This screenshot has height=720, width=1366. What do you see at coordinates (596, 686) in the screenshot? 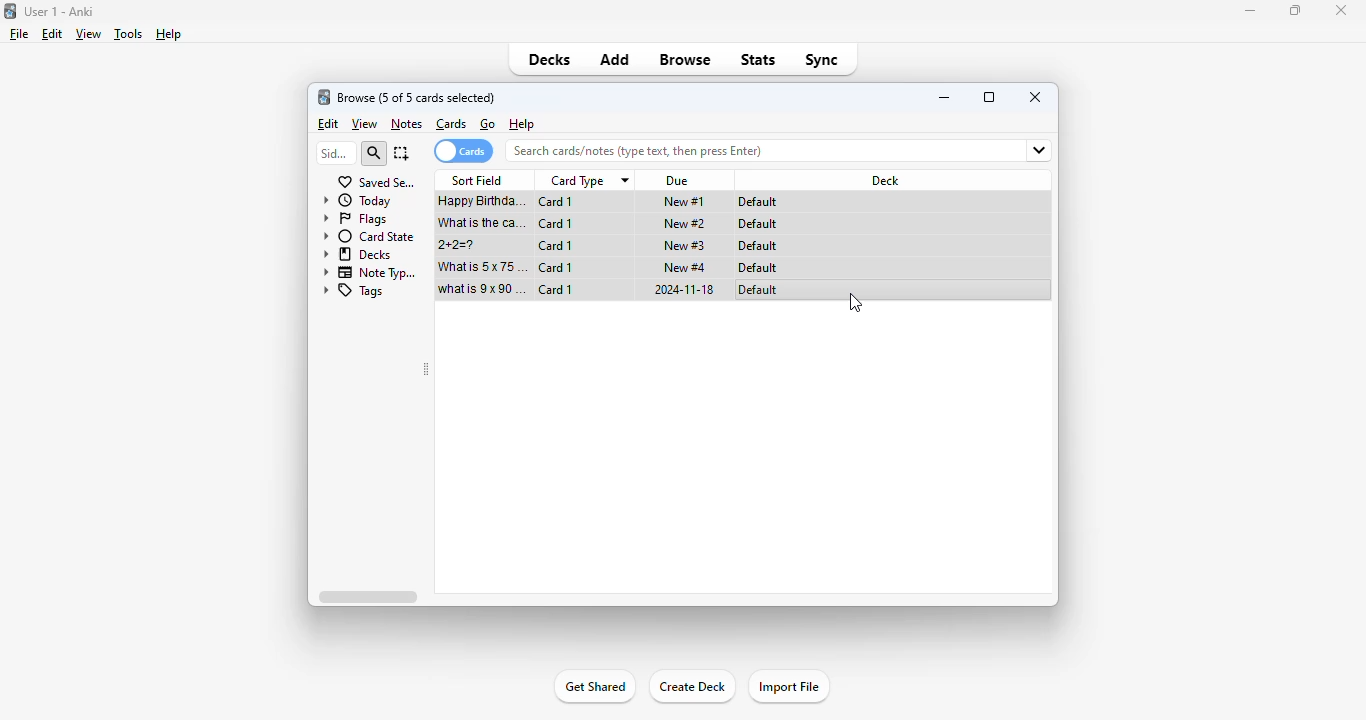
I see `get shared` at bounding box center [596, 686].